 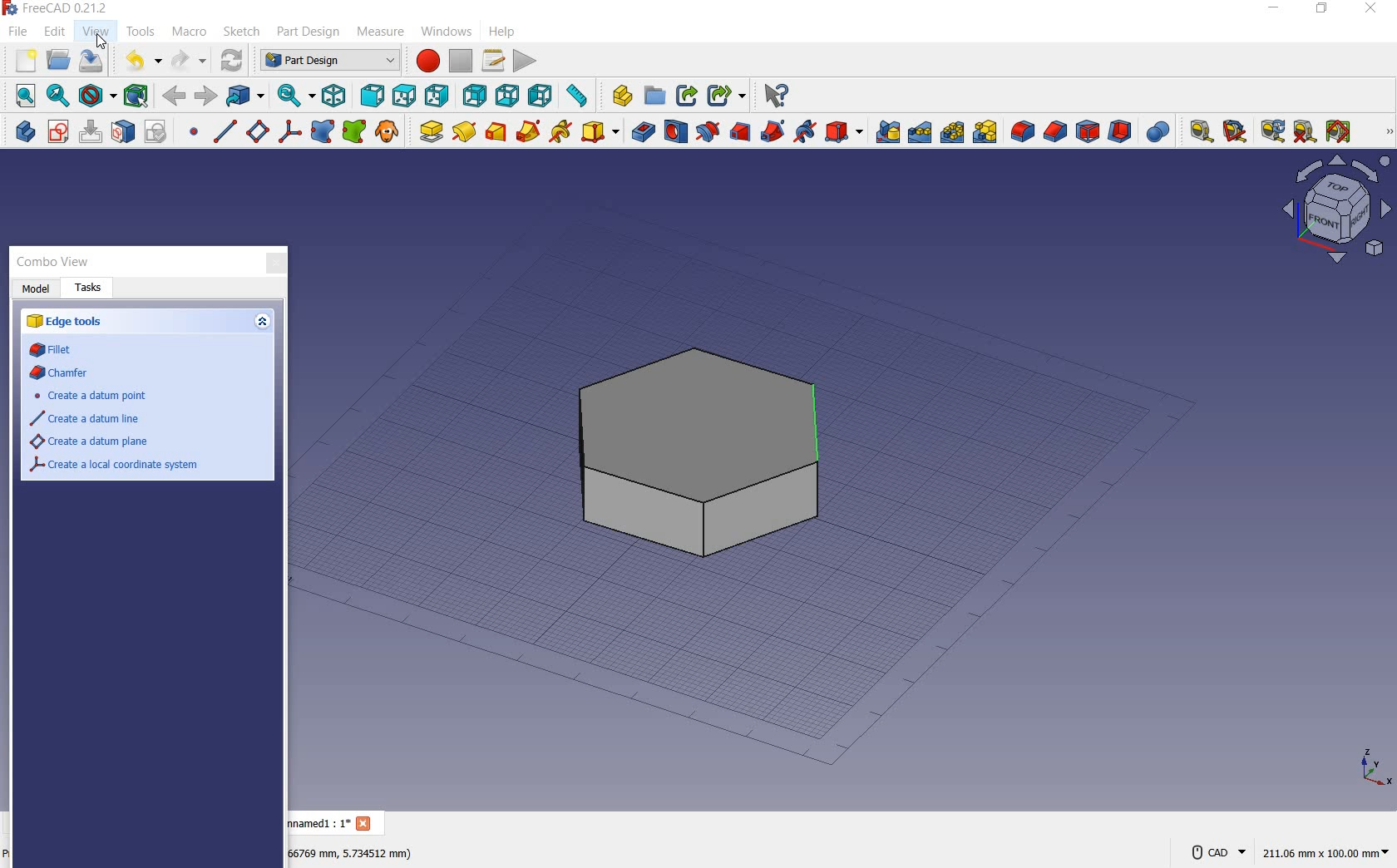 I want to click on pocket, so click(x=641, y=131).